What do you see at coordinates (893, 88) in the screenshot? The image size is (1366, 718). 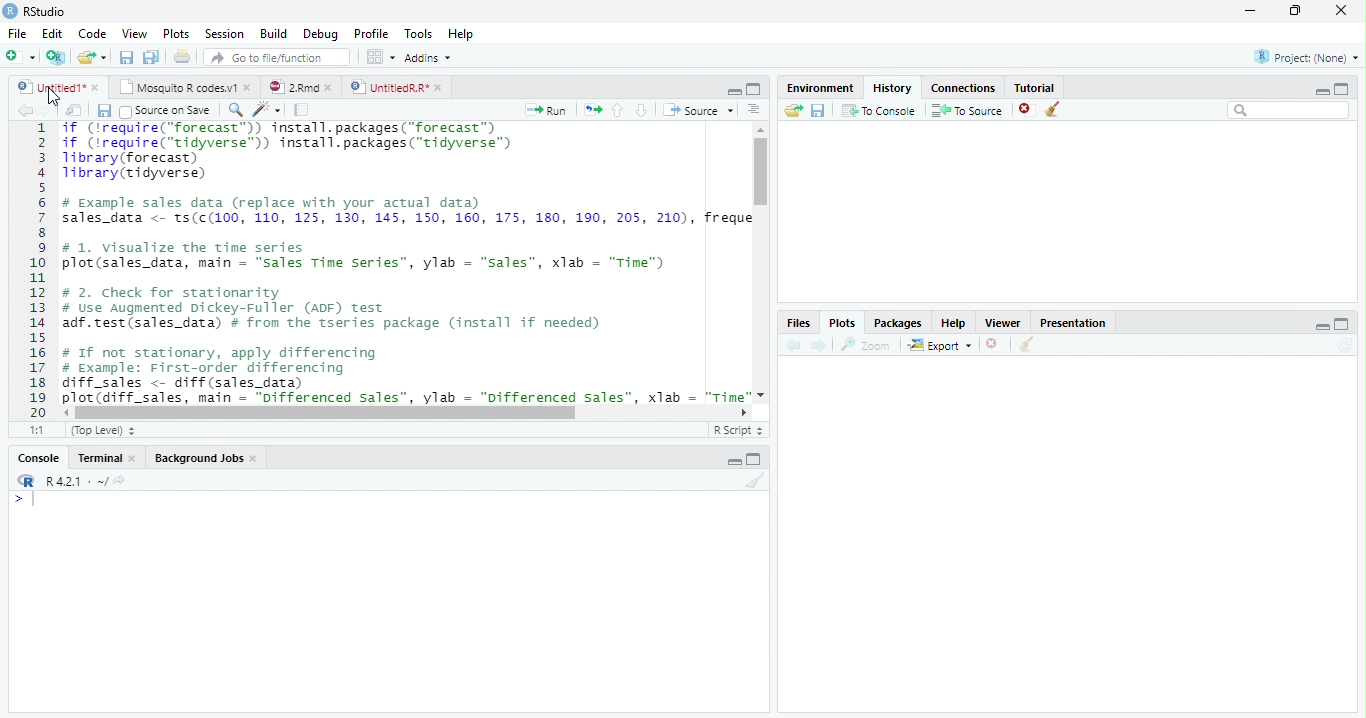 I see `History` at bounding box center [893, 88].